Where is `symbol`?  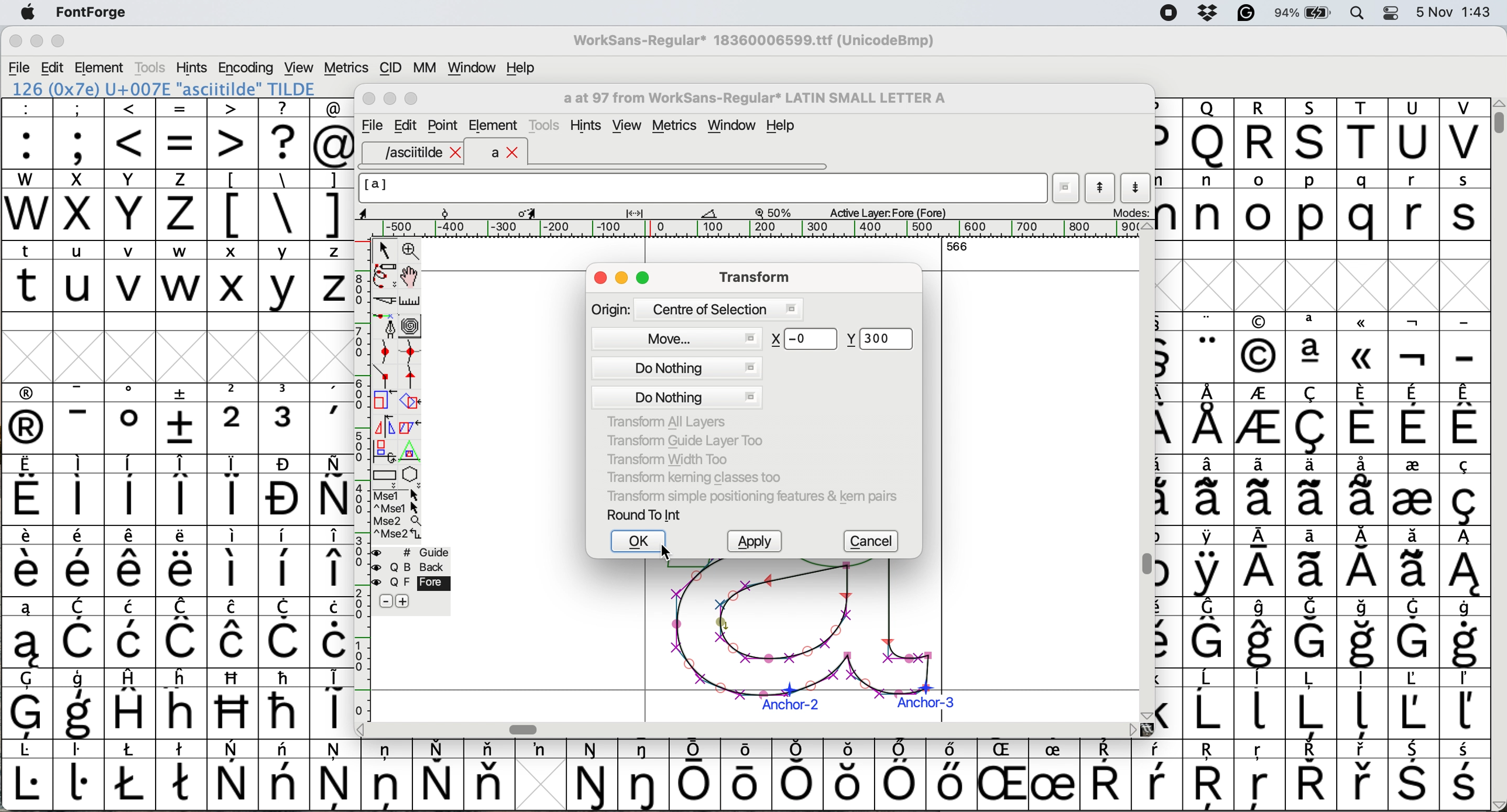
symbol is located at coordinates (1464, 633).